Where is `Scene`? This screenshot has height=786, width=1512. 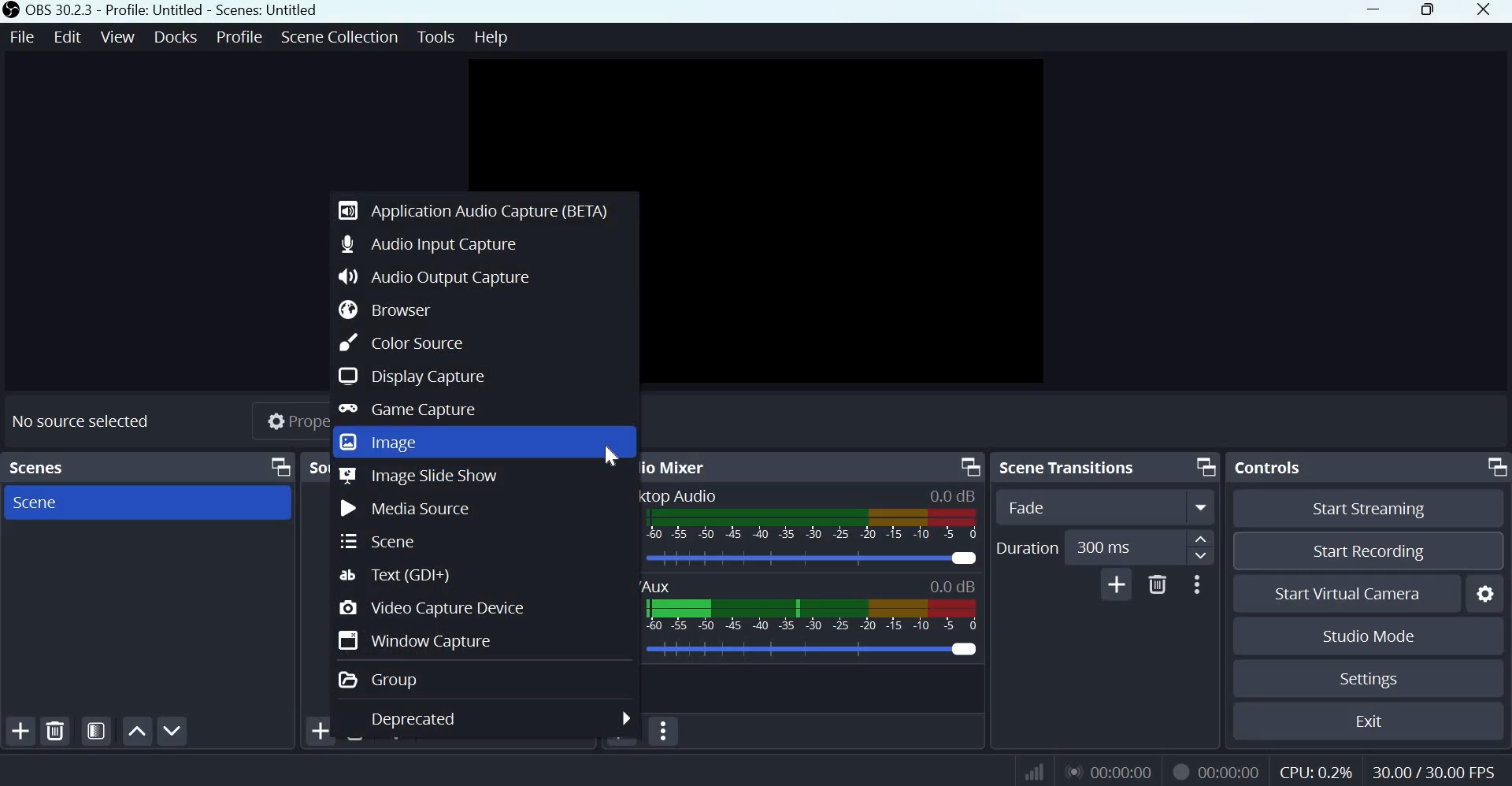 Scene is located at coordinates (46, 504).